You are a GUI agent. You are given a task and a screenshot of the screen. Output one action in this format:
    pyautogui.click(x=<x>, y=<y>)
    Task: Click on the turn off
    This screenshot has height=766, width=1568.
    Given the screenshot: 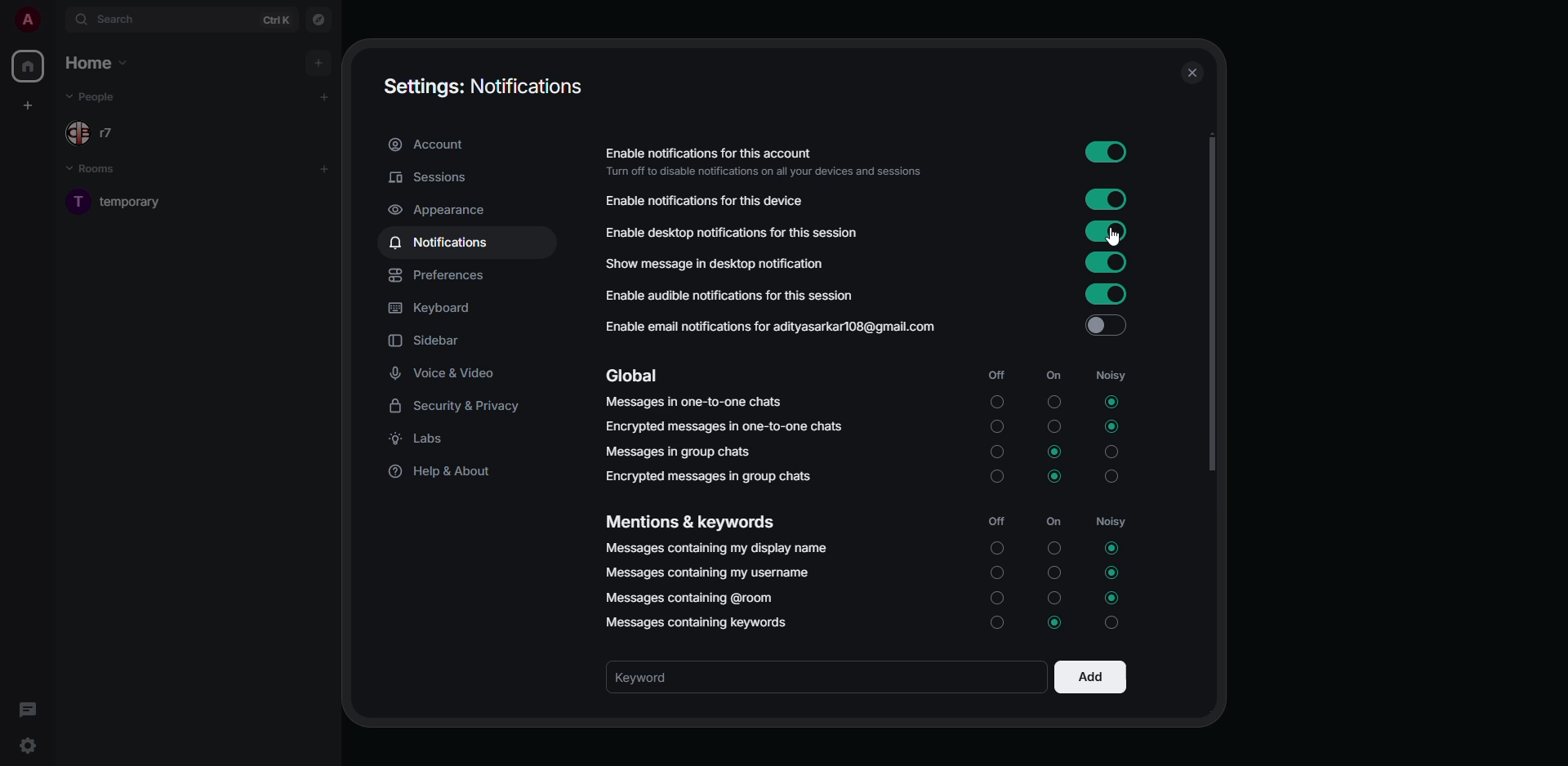 What is the action you would take?
    pyautogui.click(x=1054, y=573)
    